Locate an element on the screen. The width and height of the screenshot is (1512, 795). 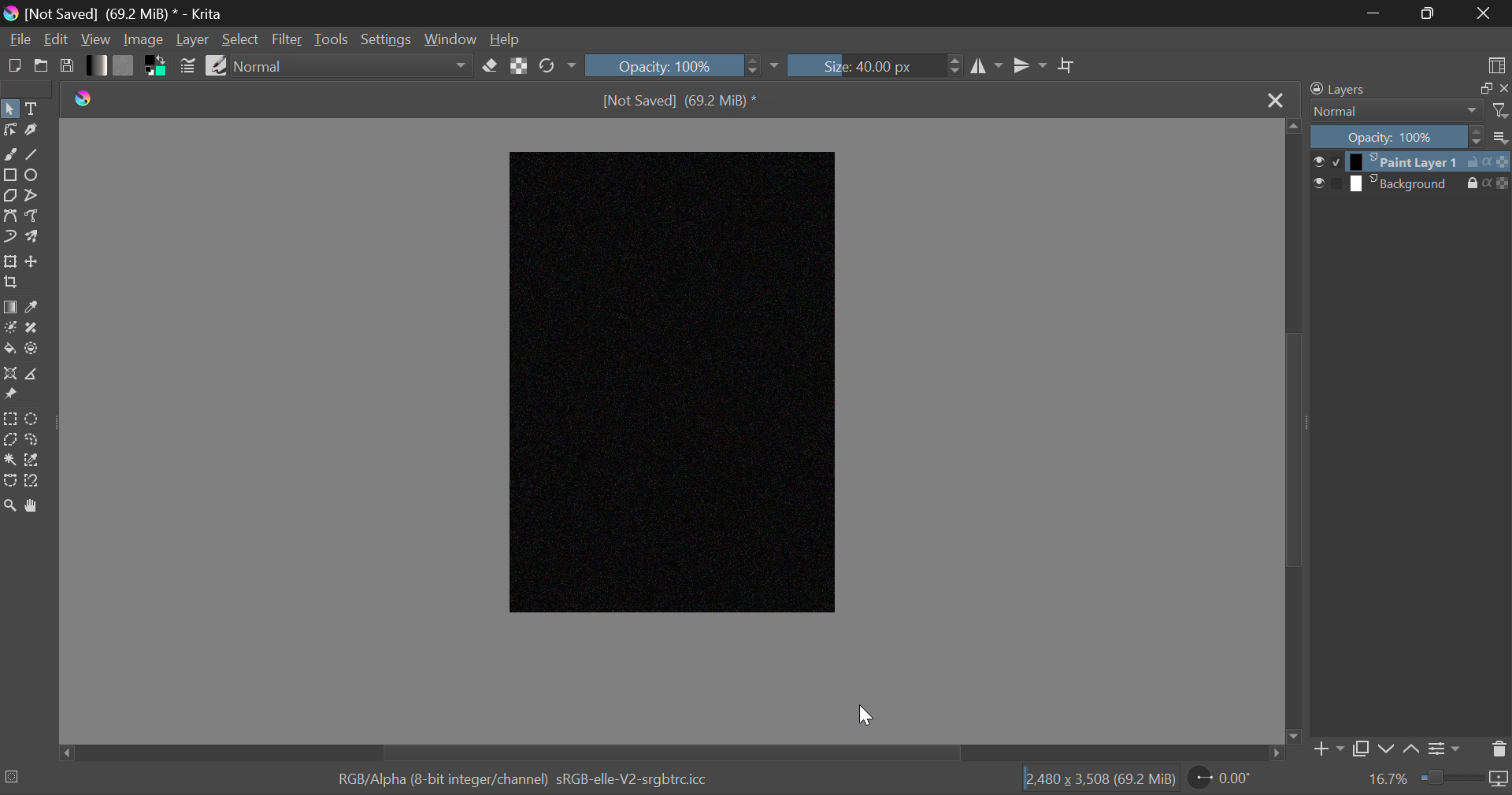
Window is located at coordinates (450, 38).